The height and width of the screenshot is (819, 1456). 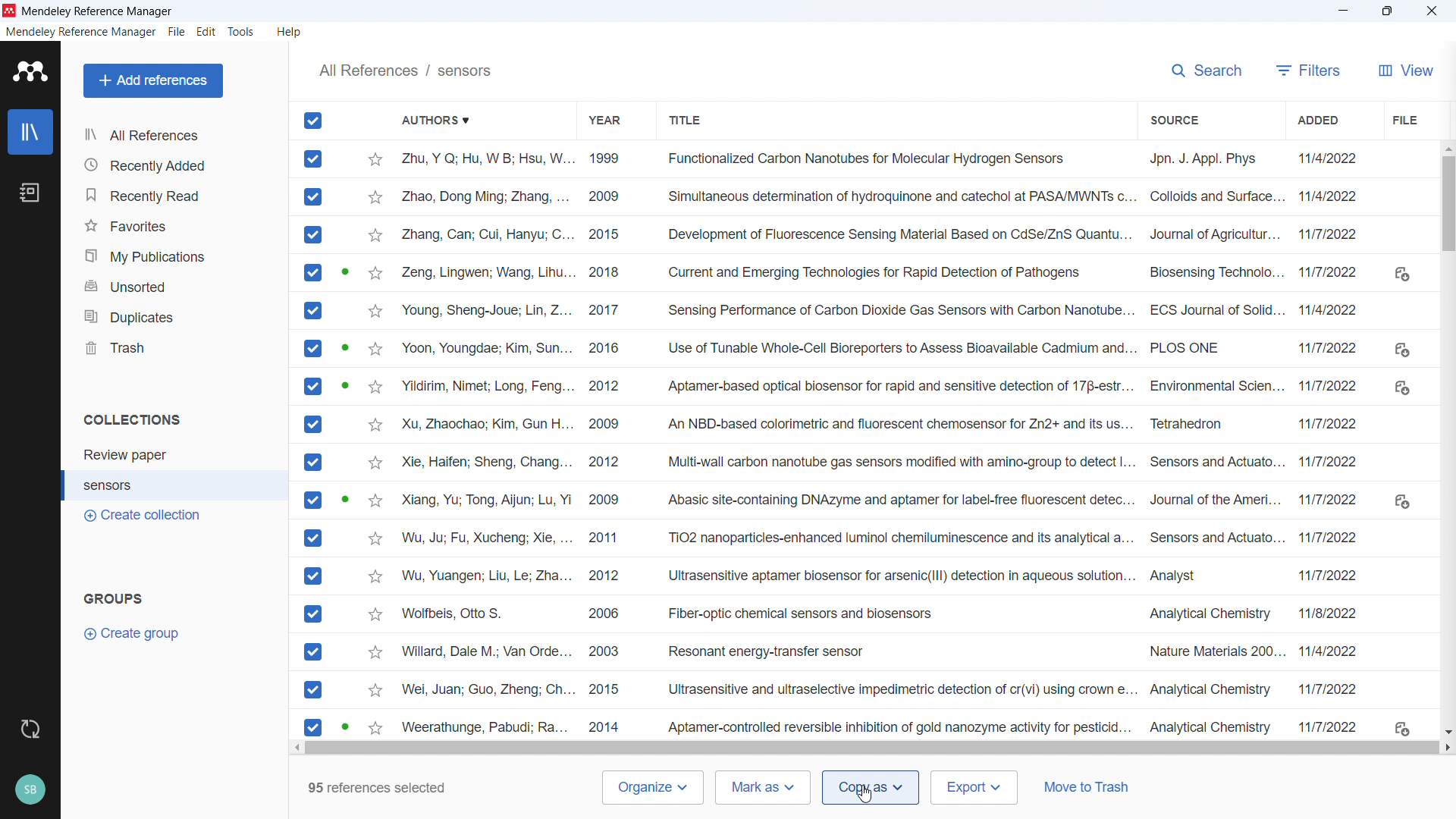 I want to click on create group, so click(x=131, y=634).